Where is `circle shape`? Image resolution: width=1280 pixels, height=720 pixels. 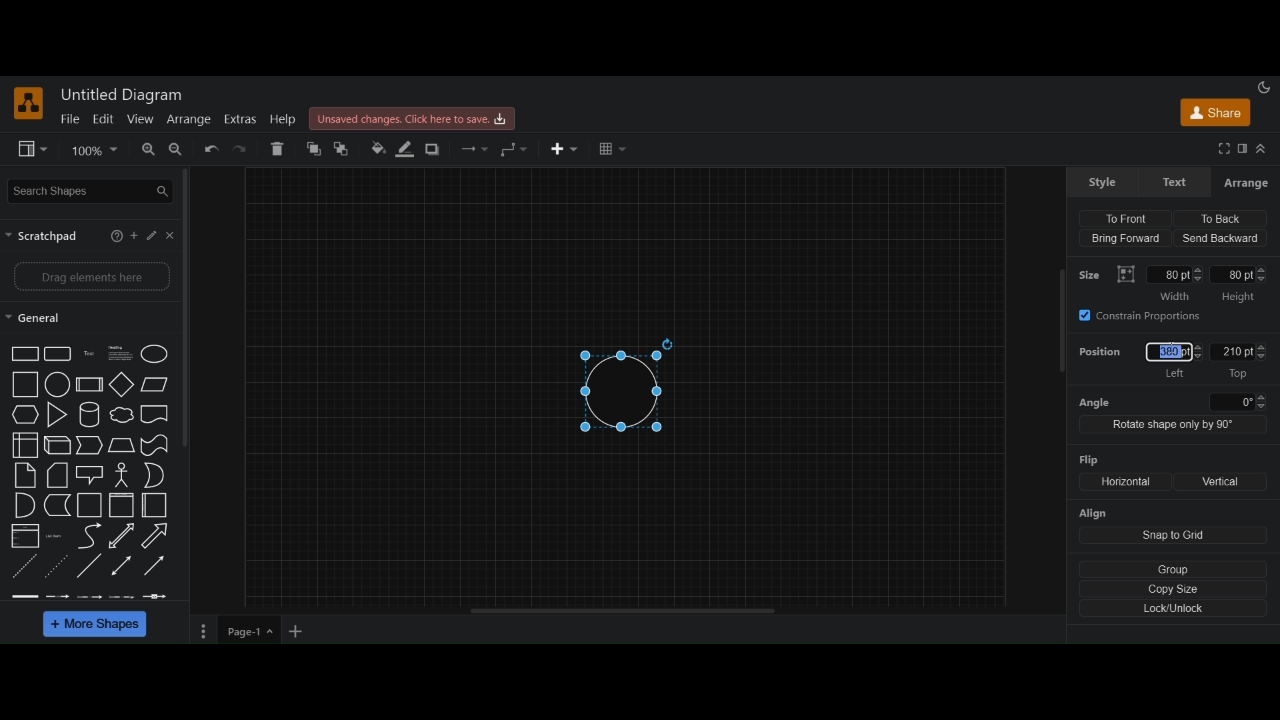 circle shape is located at coordinates (627, 387).